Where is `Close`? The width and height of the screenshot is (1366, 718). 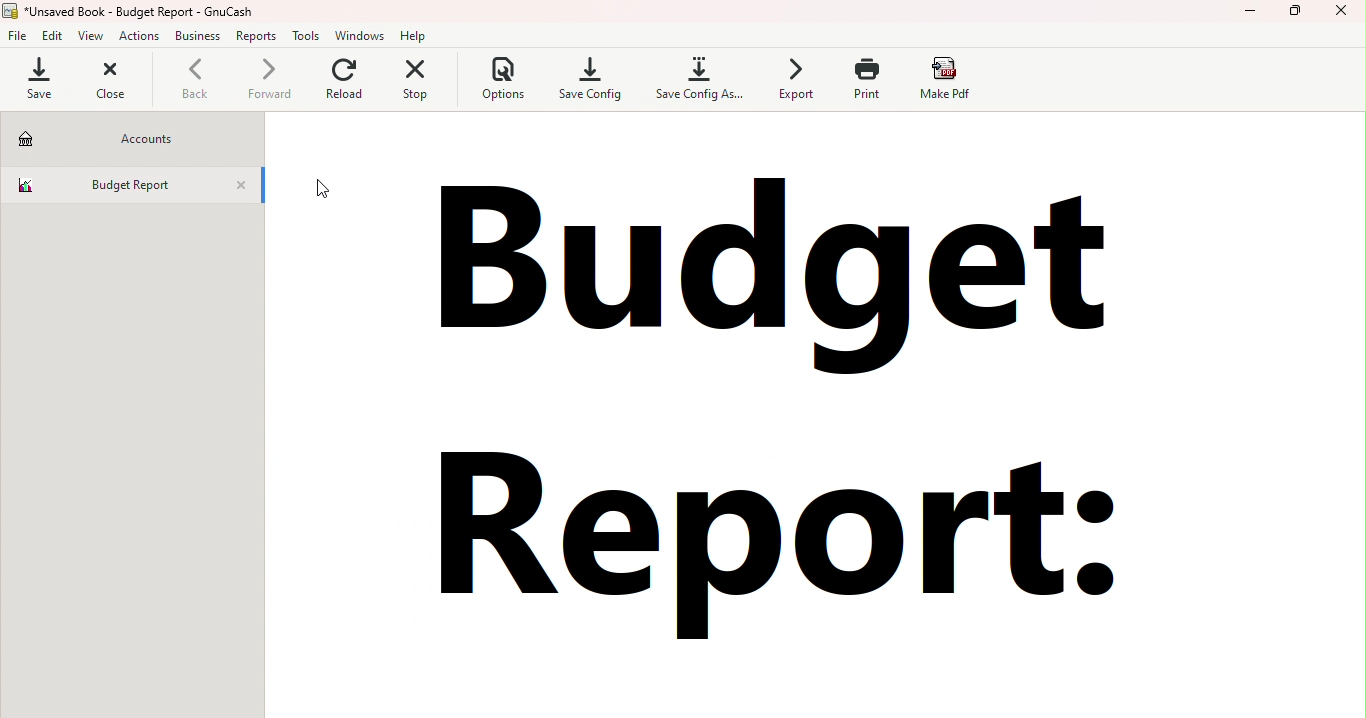 Close is located at coordinates (244, 187).